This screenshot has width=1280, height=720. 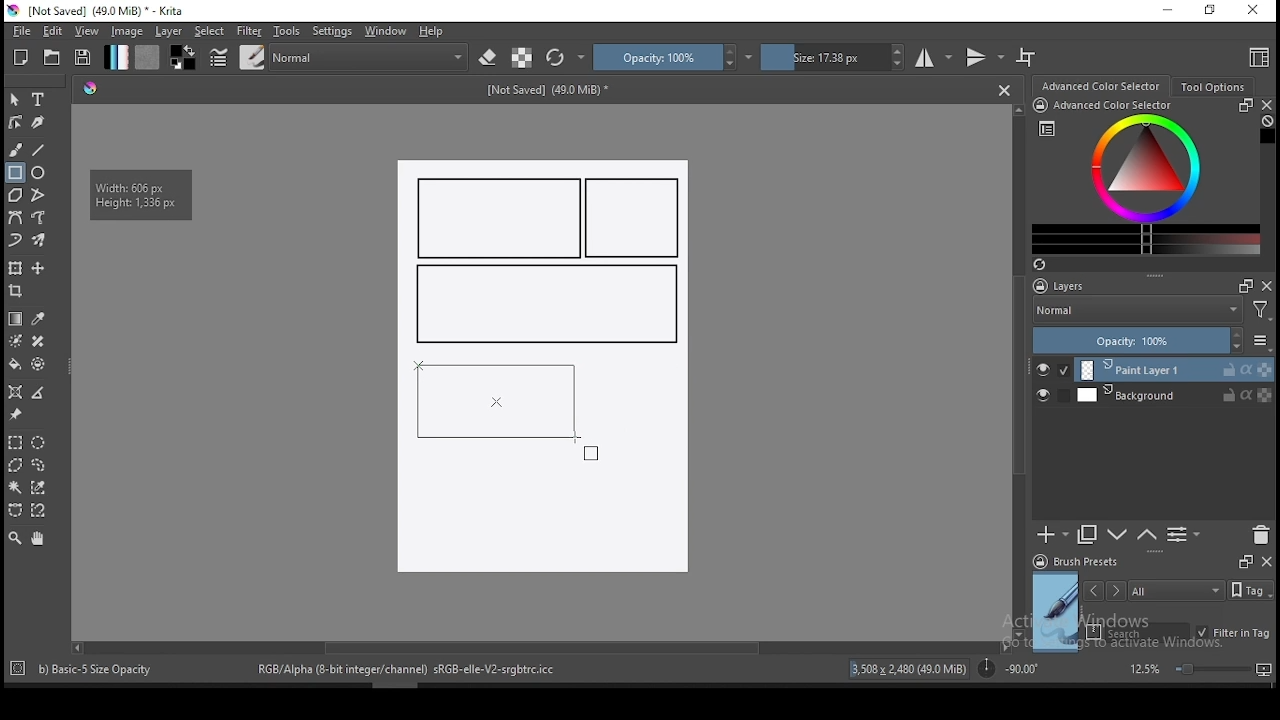 What do you see at coordinates (1245, 561) in the screenshot?
I see `Frames` at bounding box center [1245, 561].